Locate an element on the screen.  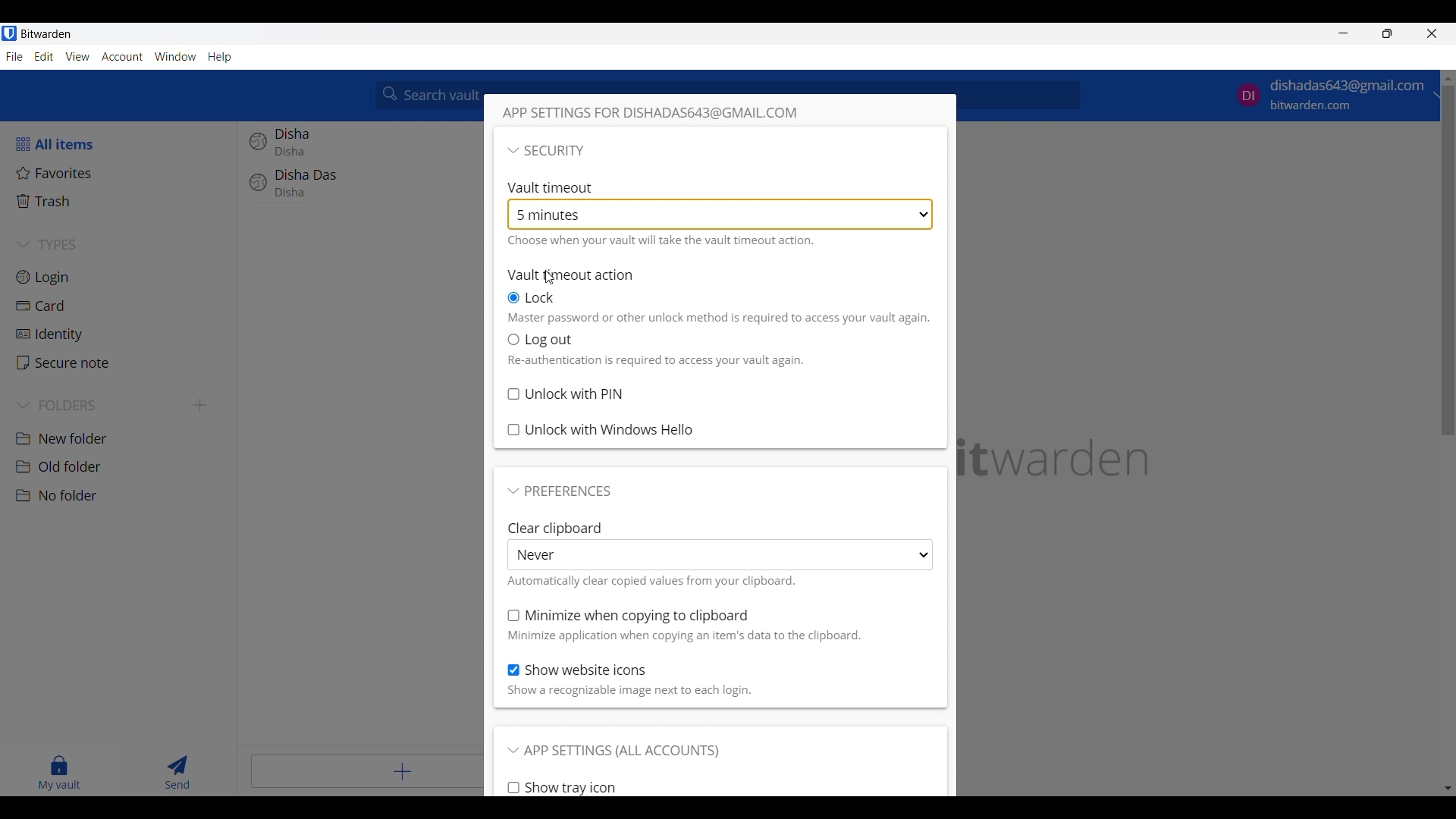
Collapse Folders is located at coordinates (100, 406).